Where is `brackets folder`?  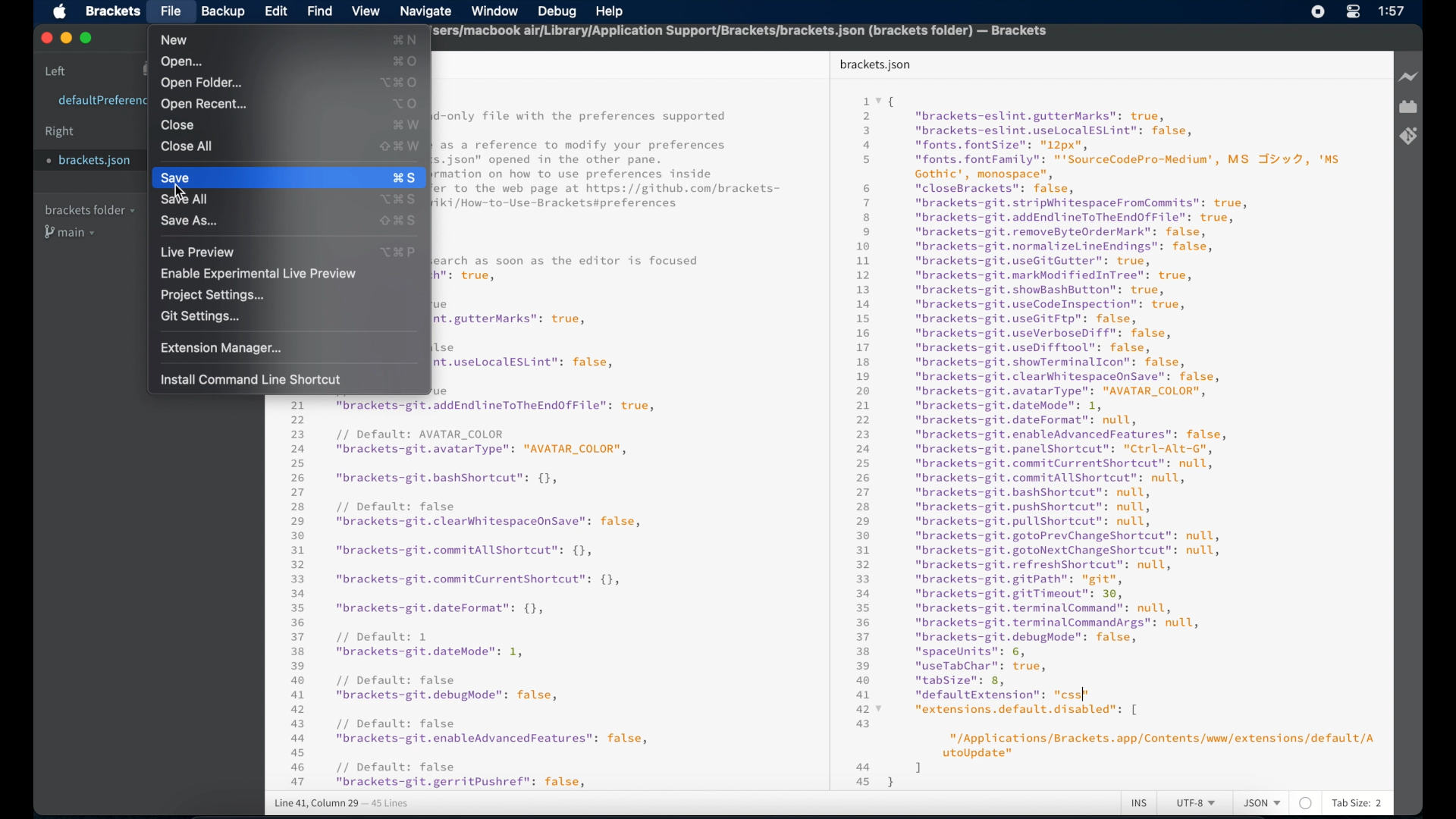
brackets folder is located at coordinates (89, 209).